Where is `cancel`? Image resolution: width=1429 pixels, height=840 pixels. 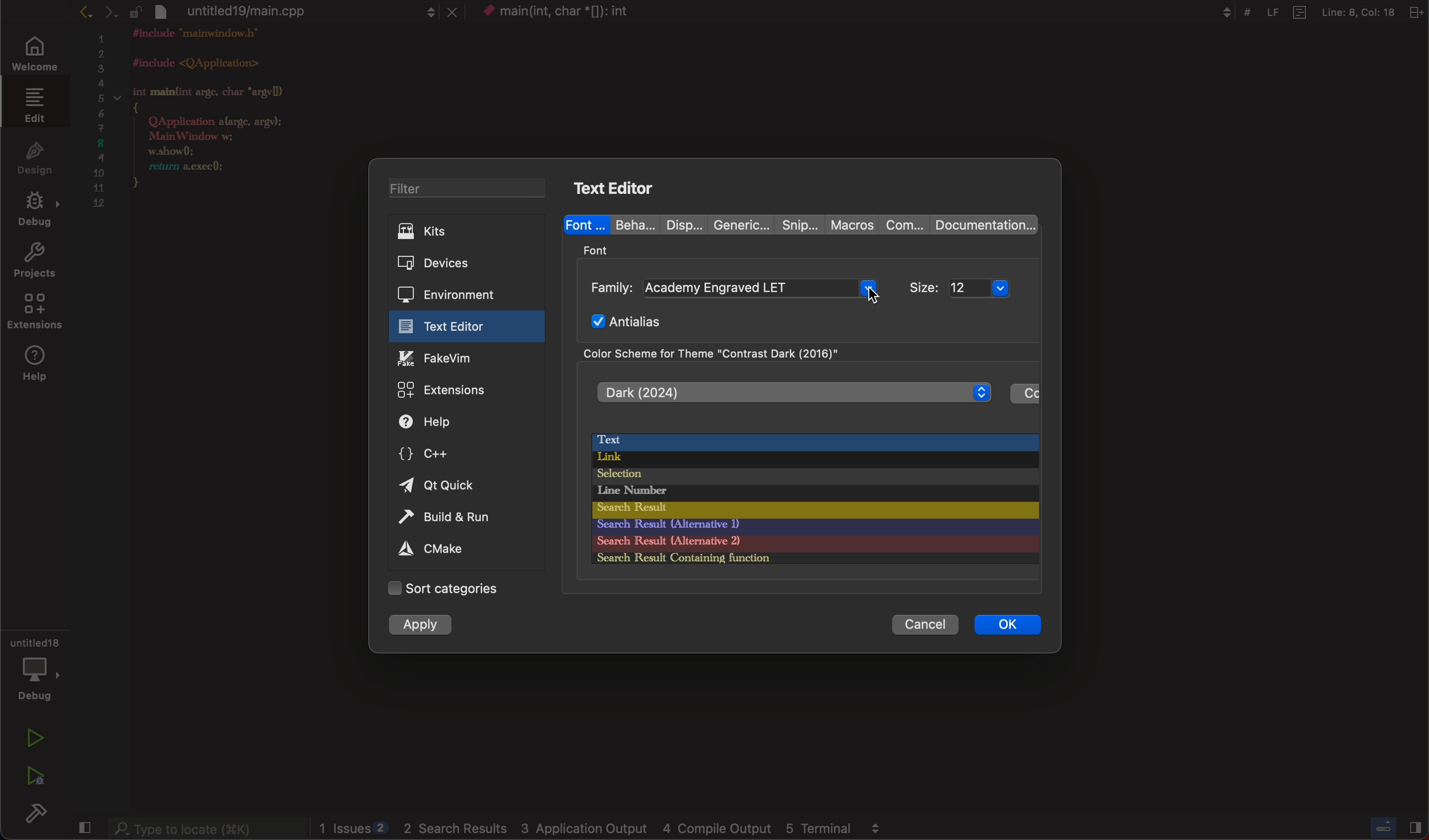
cancel is located at coordinates (919, 624).